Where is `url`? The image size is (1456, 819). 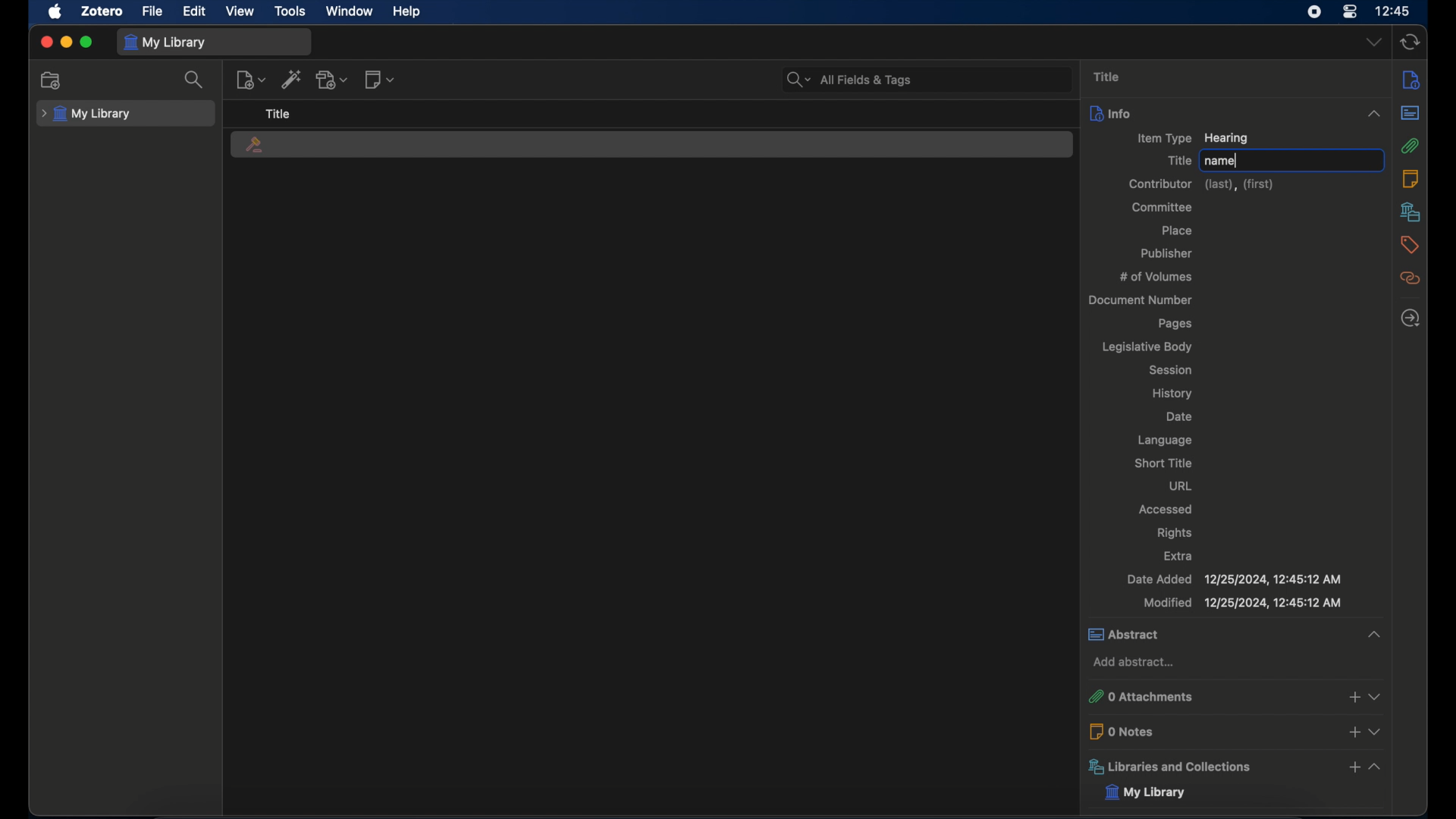
url is located at coordinates (1179, 485).